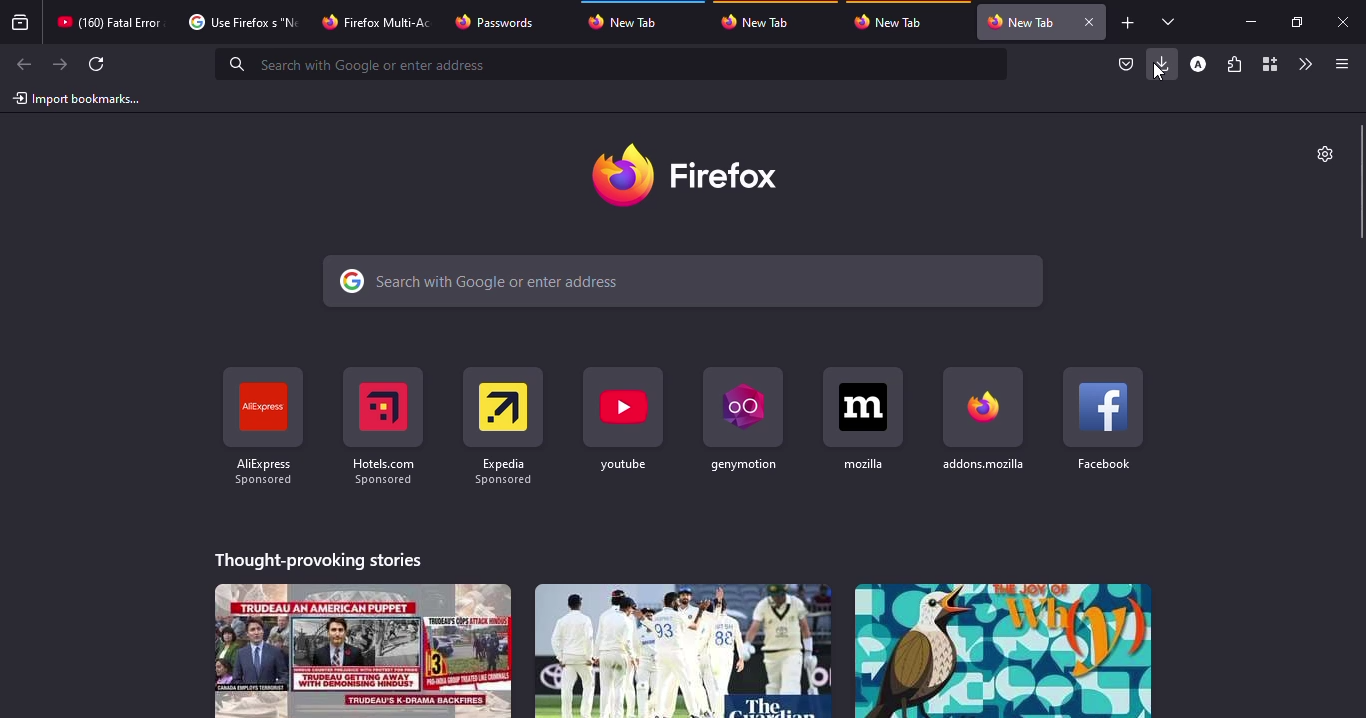  What do you see at coordinates (632, 19) in the screenshot?
I see `tab` at bounding box center [632, 19].